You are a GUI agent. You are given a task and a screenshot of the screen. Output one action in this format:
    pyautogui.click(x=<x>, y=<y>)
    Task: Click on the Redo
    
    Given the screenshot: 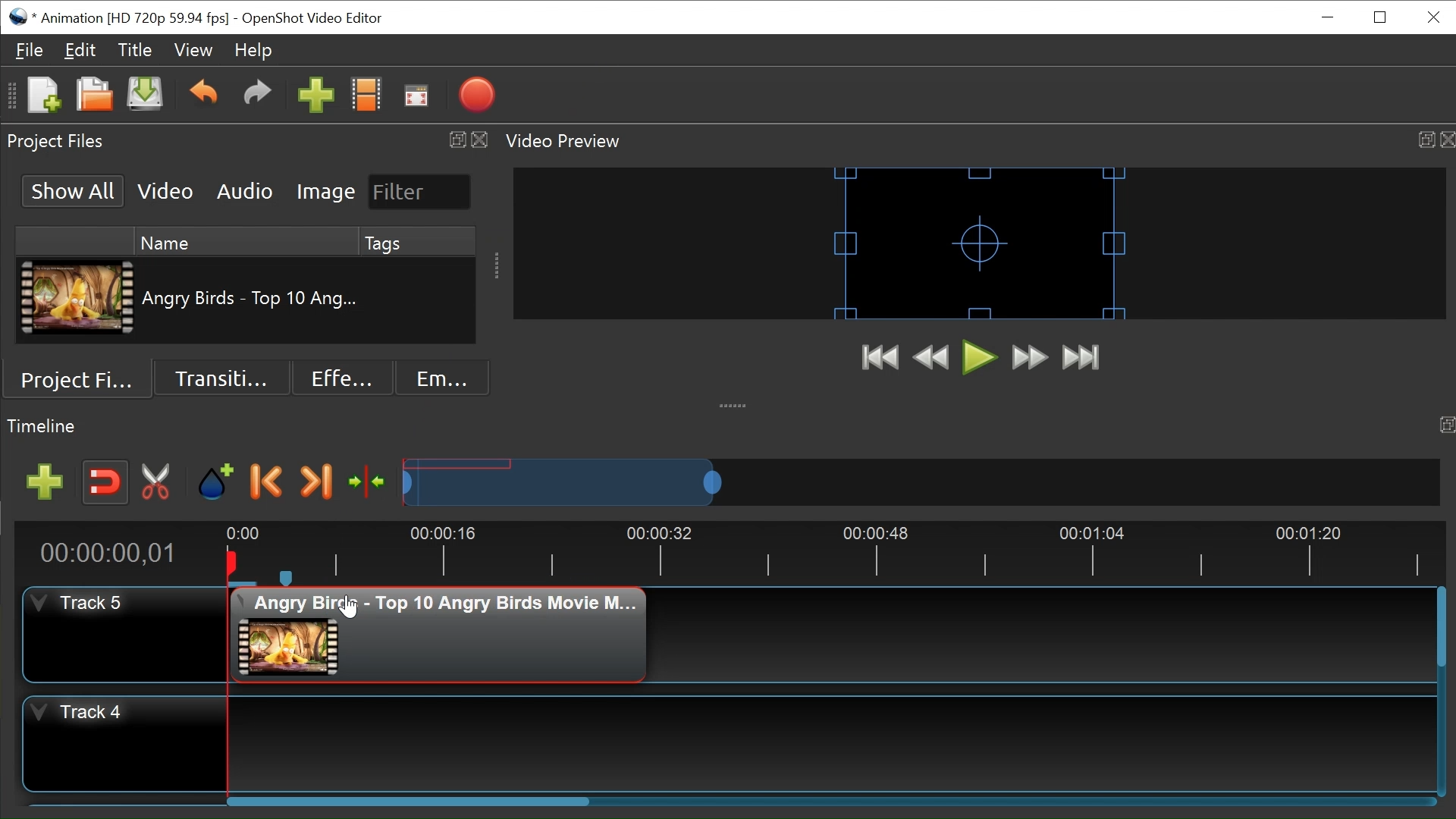 What is the action you would take?
    pyautogui.click(x=257, y=99)
    